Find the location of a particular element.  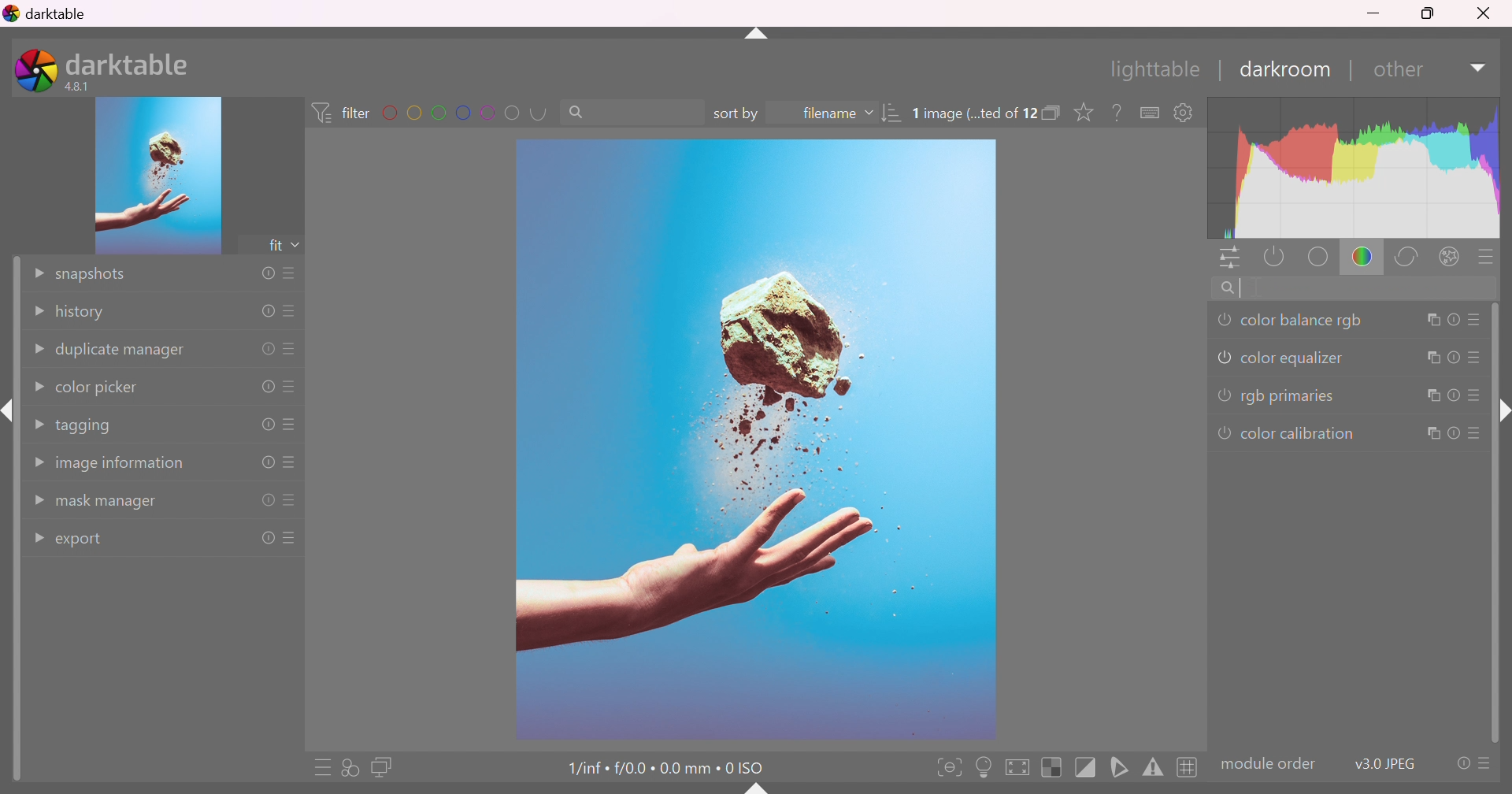

reset is located at coordinates (268, 463).